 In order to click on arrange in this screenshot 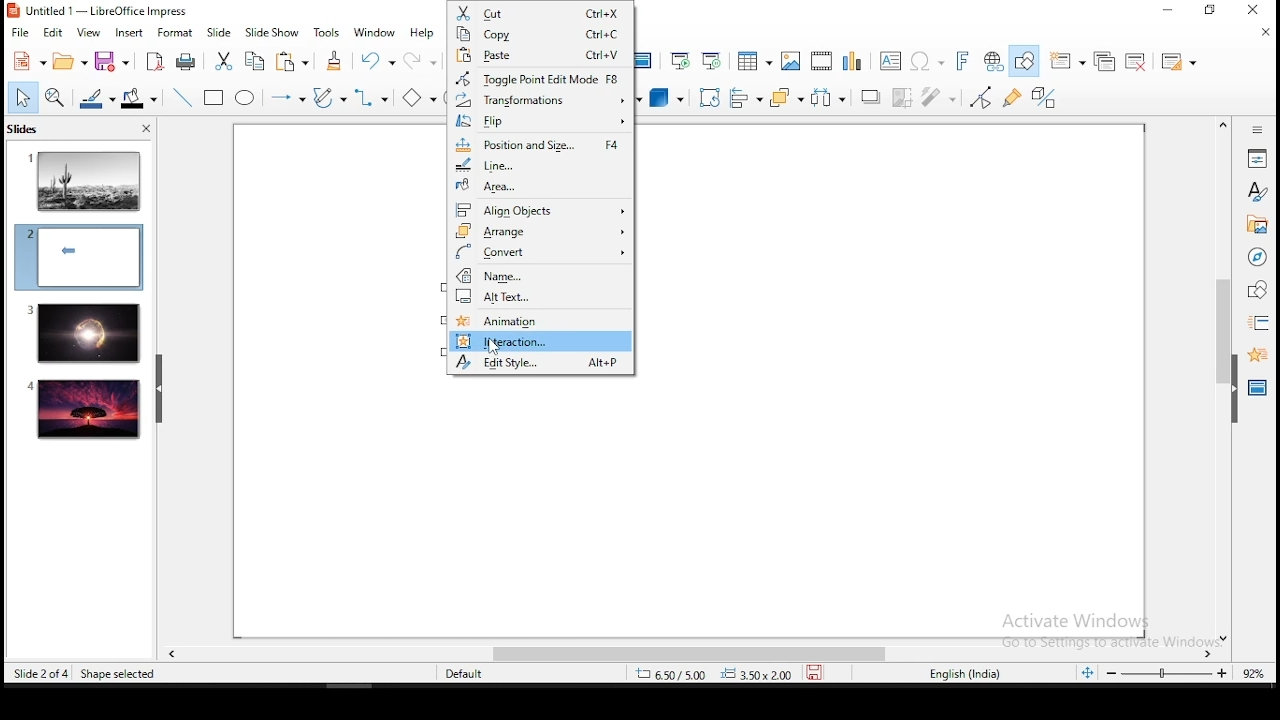, I will do `click(541, 232)`.